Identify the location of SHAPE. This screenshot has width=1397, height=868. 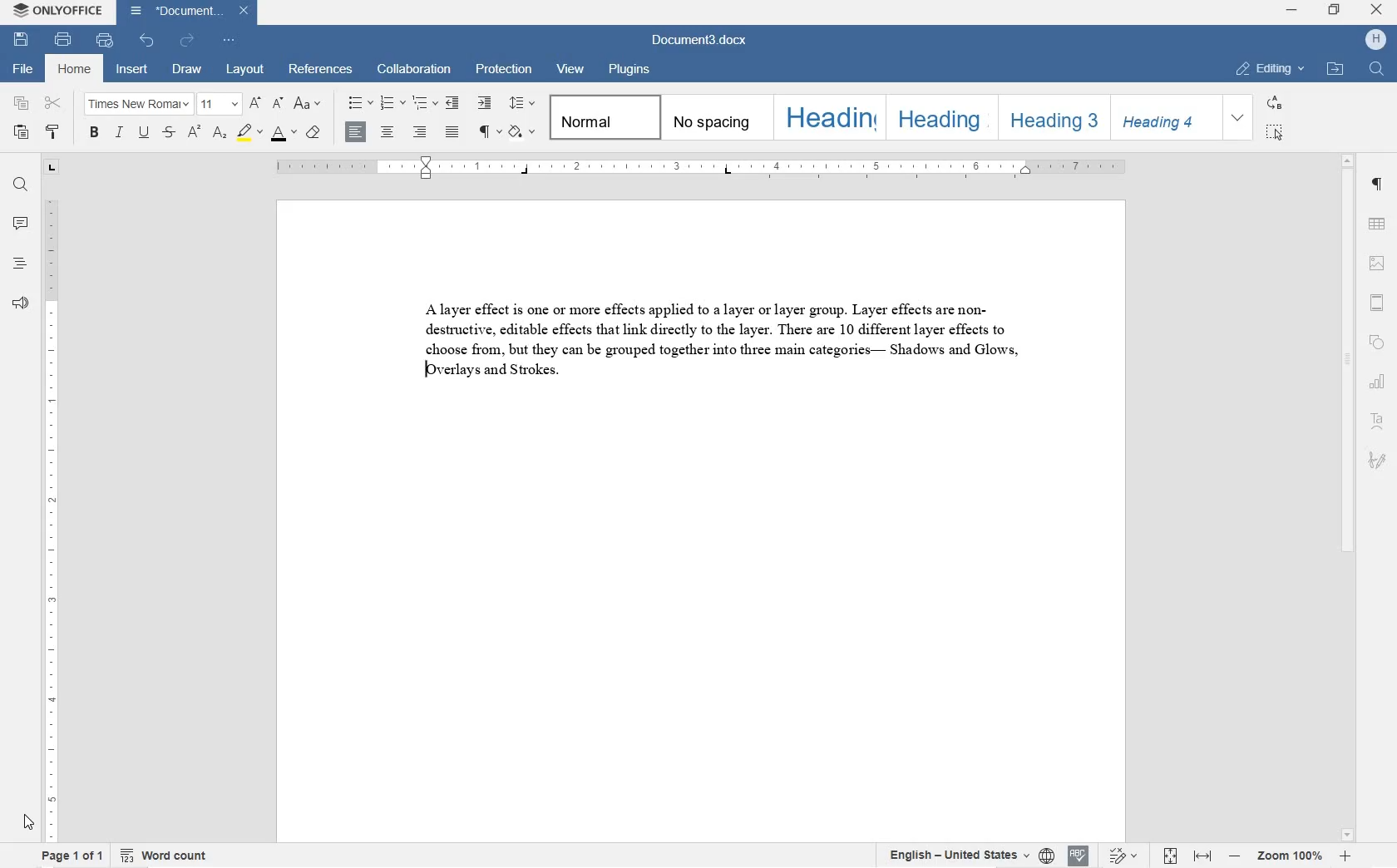
(1378, 338).